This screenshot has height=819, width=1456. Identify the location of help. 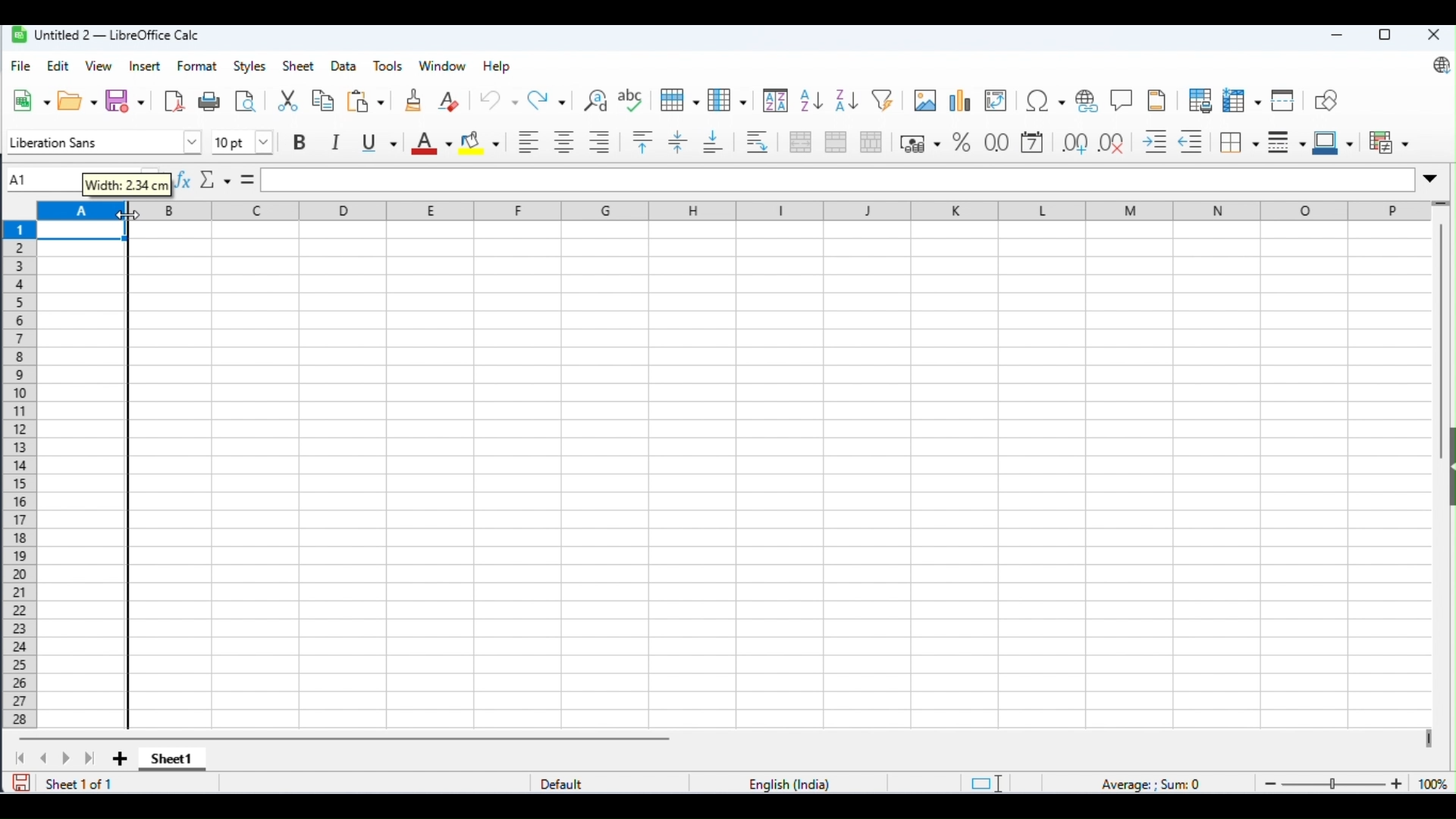
(497, 67).